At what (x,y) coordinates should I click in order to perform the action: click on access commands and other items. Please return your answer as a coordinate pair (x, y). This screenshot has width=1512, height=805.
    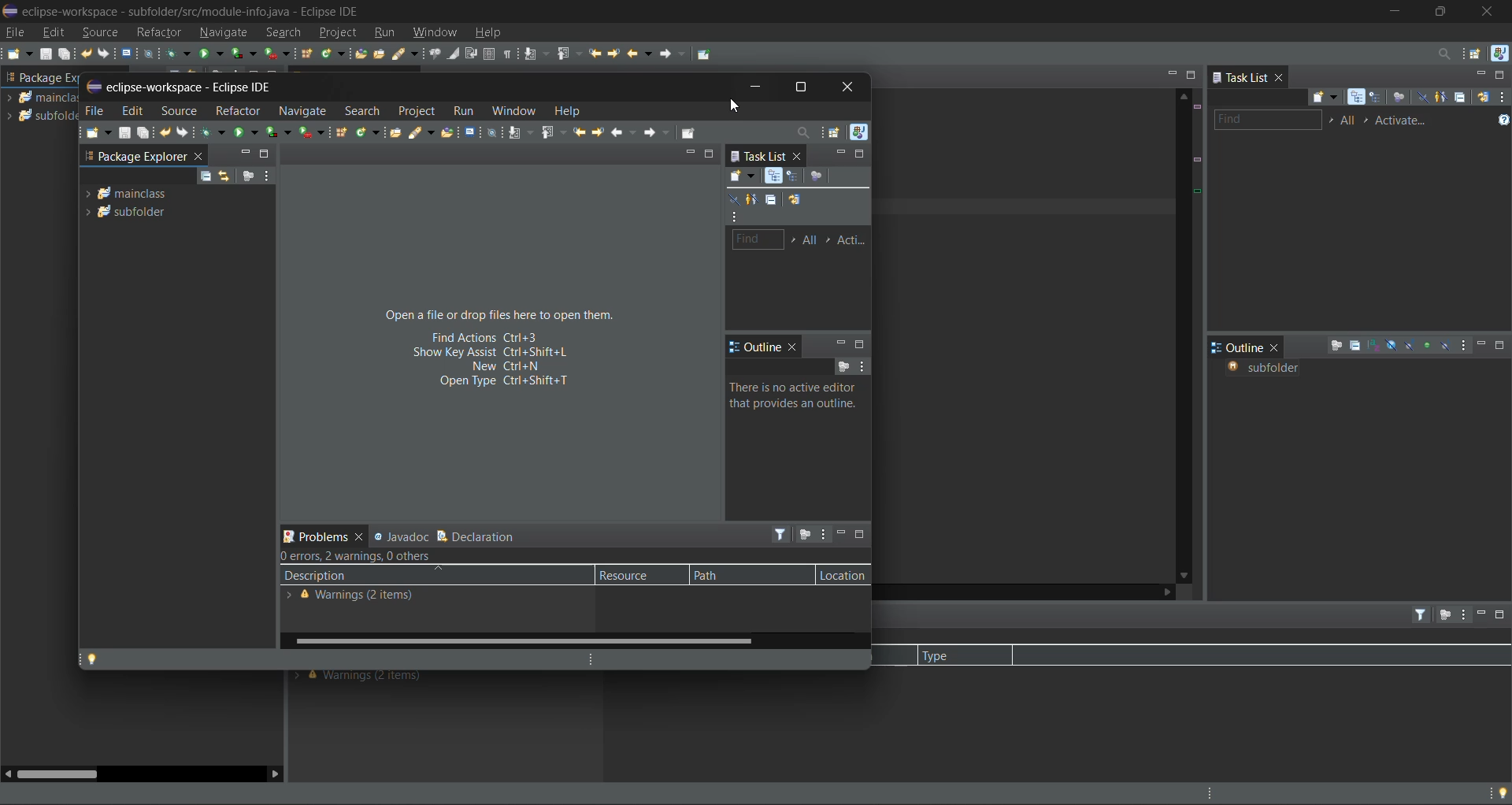
    Looking at the image, I should click on (802, 132).